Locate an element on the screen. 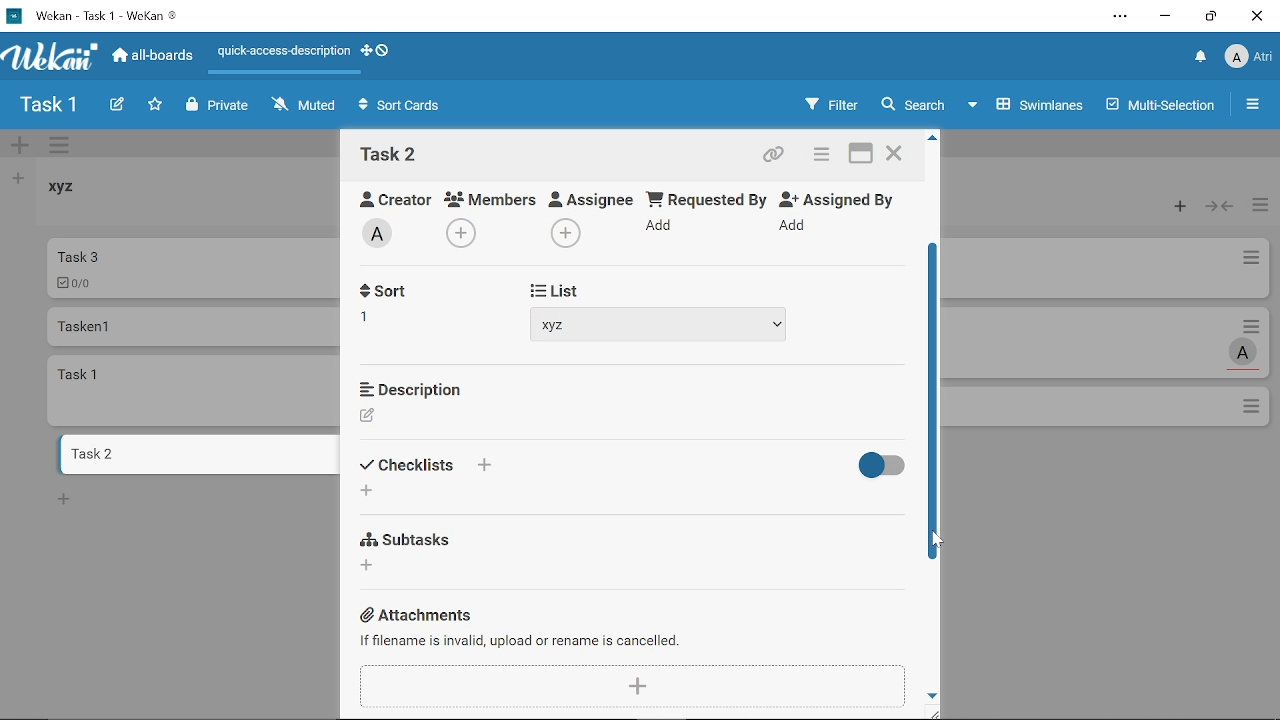 The width and height of the screenshot is (1280, 720). If filename is invalid, upload or rename is cancelled. is located at coordinates (524, 641).